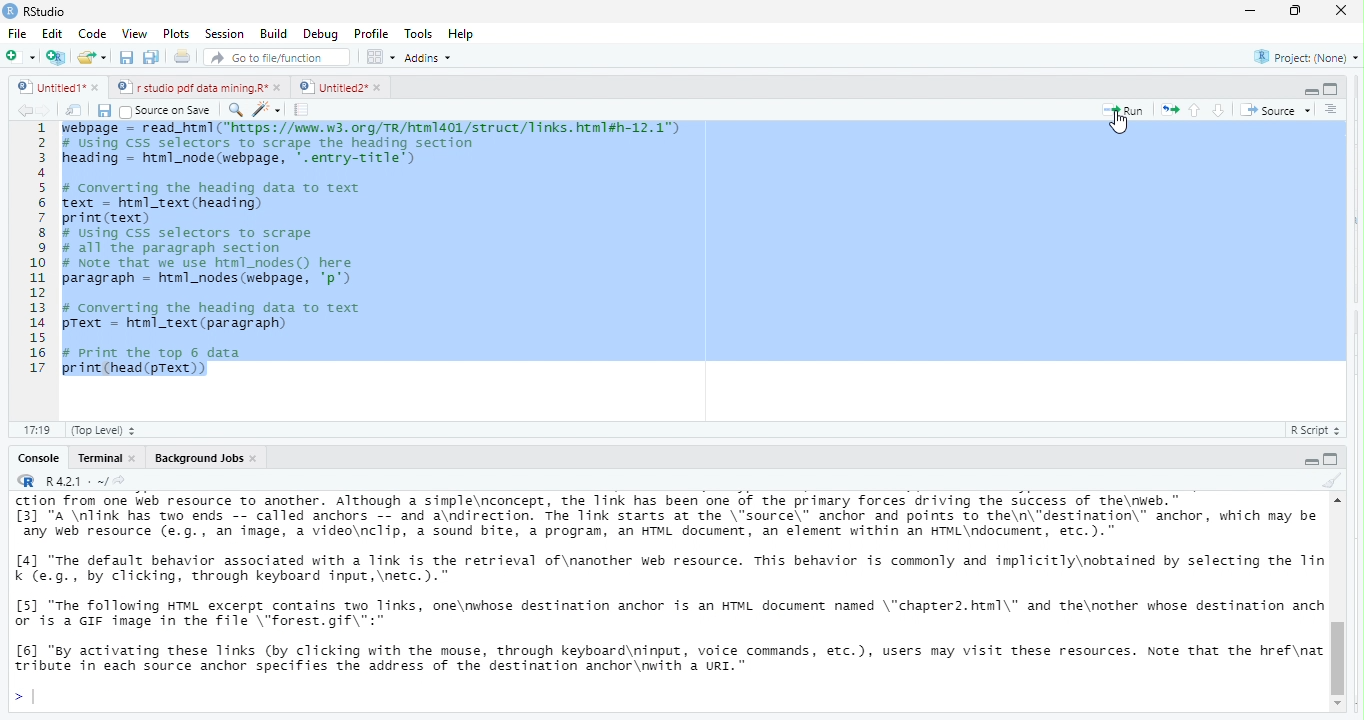 The image size is (1364, 720). Describe the element at coordinates (51, 10) in the screenshot. I see `RStudio` at that location.